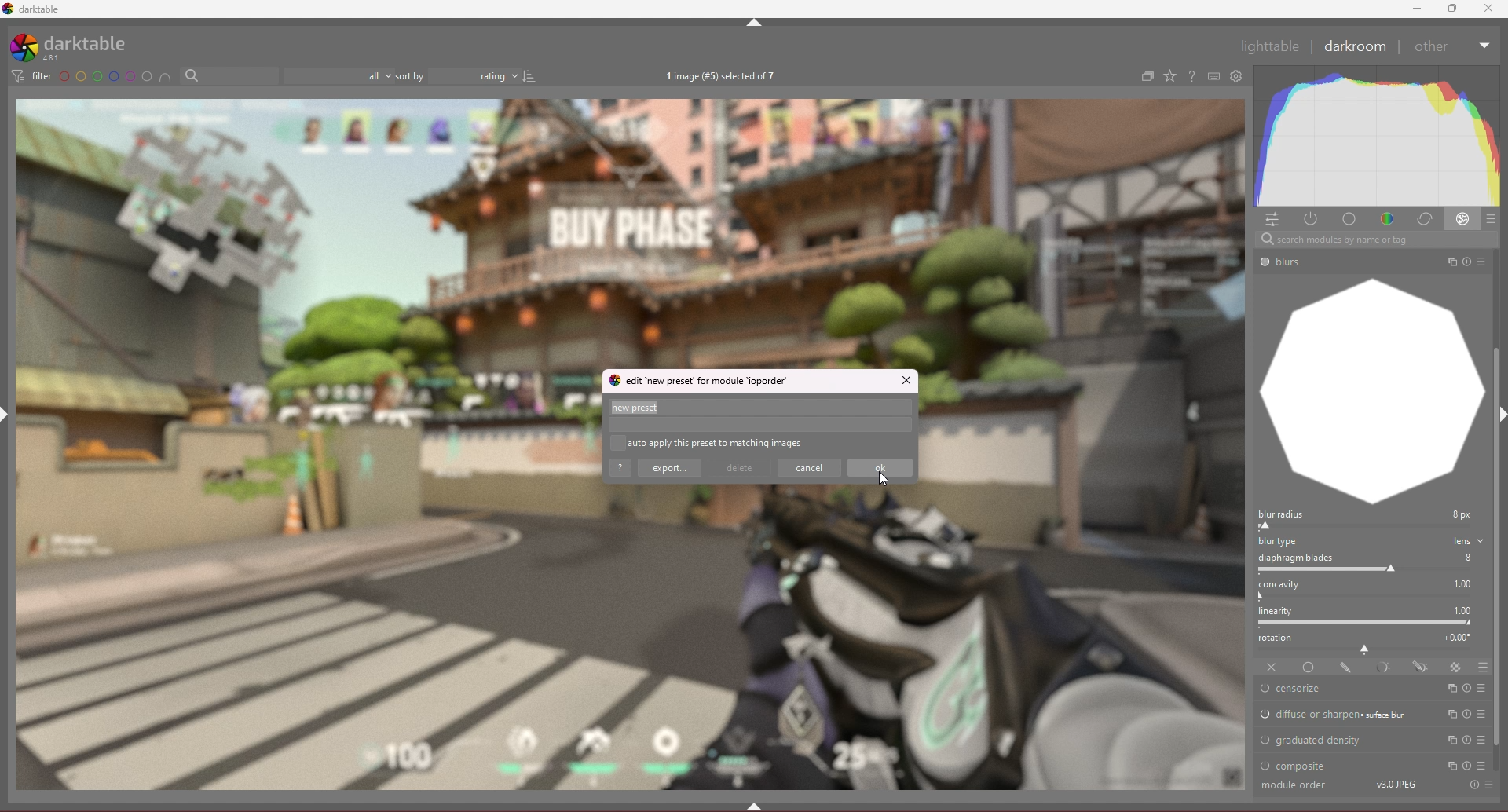  Describe the element at coordinates (230, 75) in the screenshot. I see `filter by text` at that location.